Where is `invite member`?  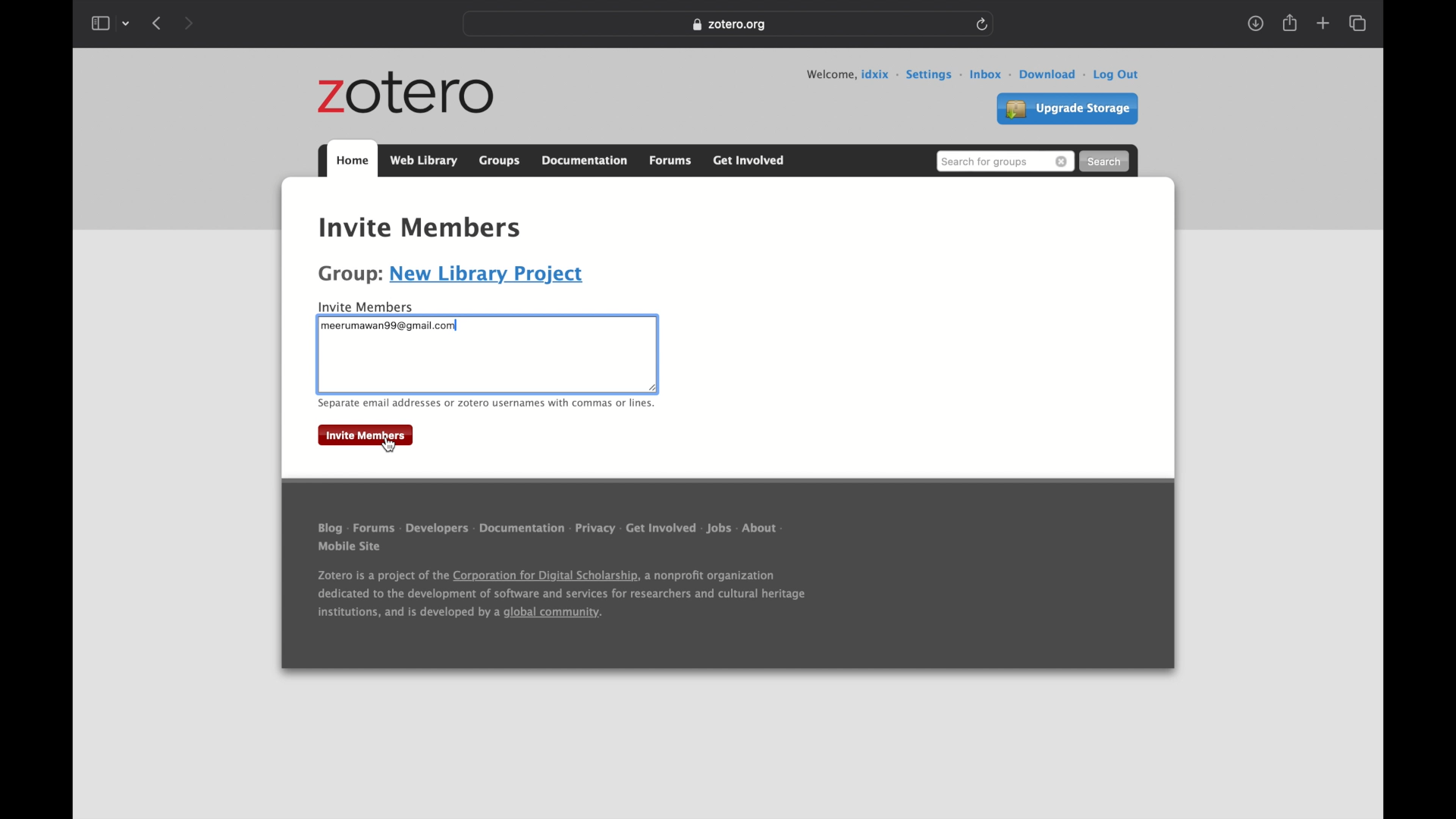
invite member is located at coordinates (366, 307).